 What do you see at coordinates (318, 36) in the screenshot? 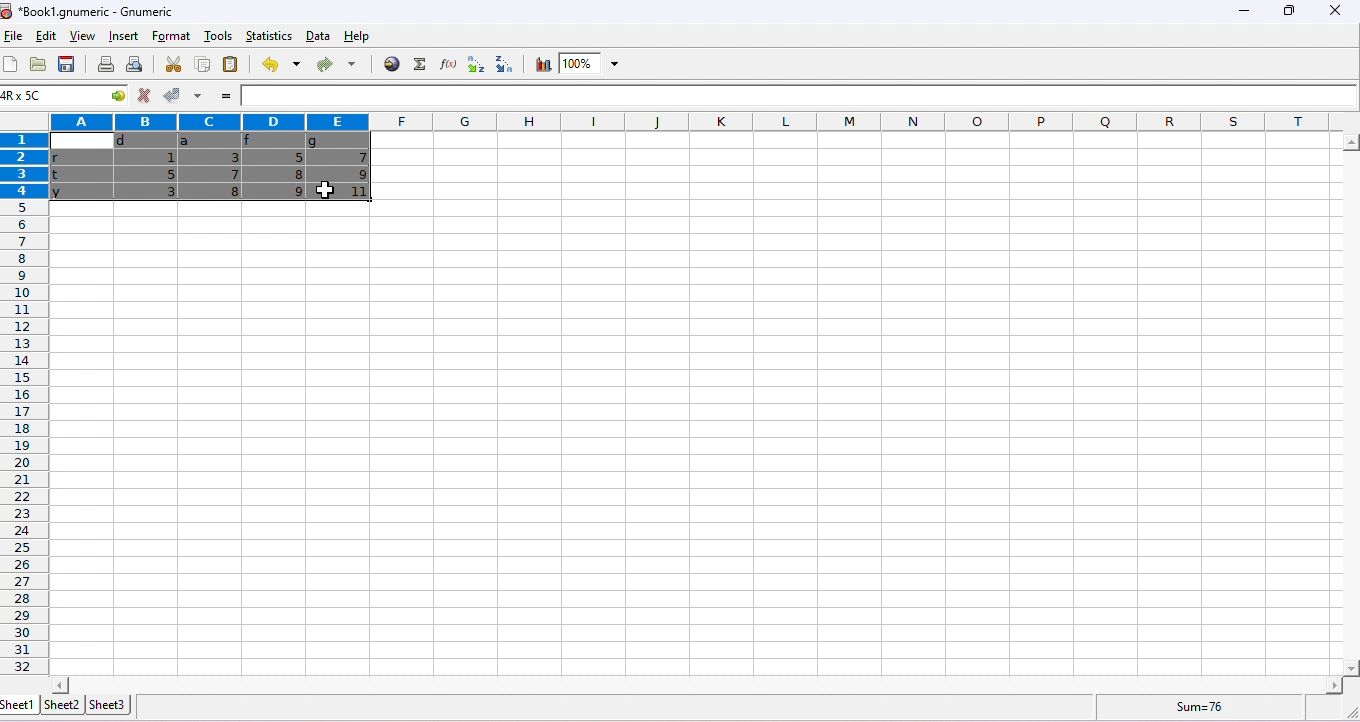
I see `data` at bounding box center [318, 36].